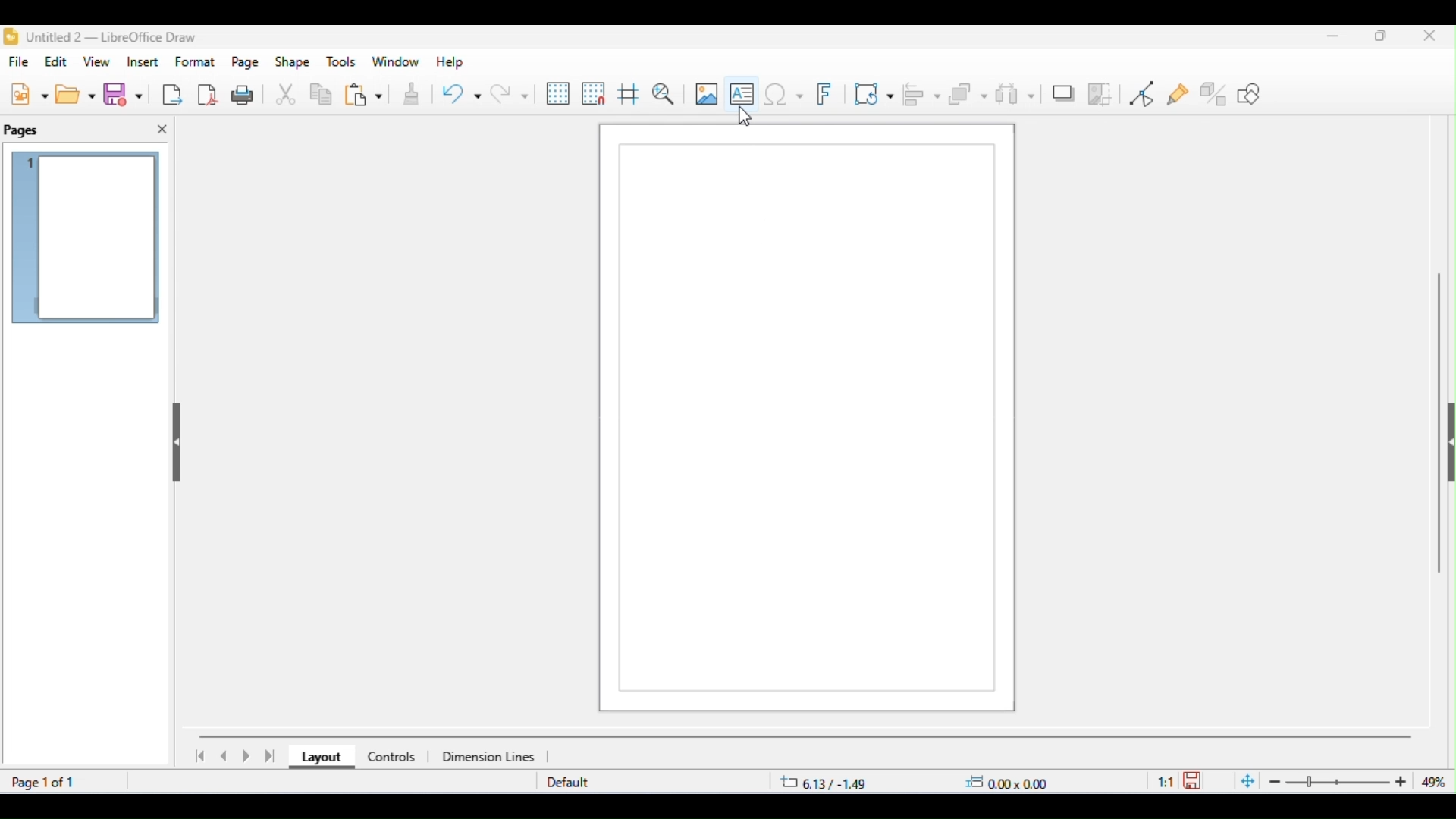 This screenshot has height=819, width=1456. I want to click on open, so click(77, 94).